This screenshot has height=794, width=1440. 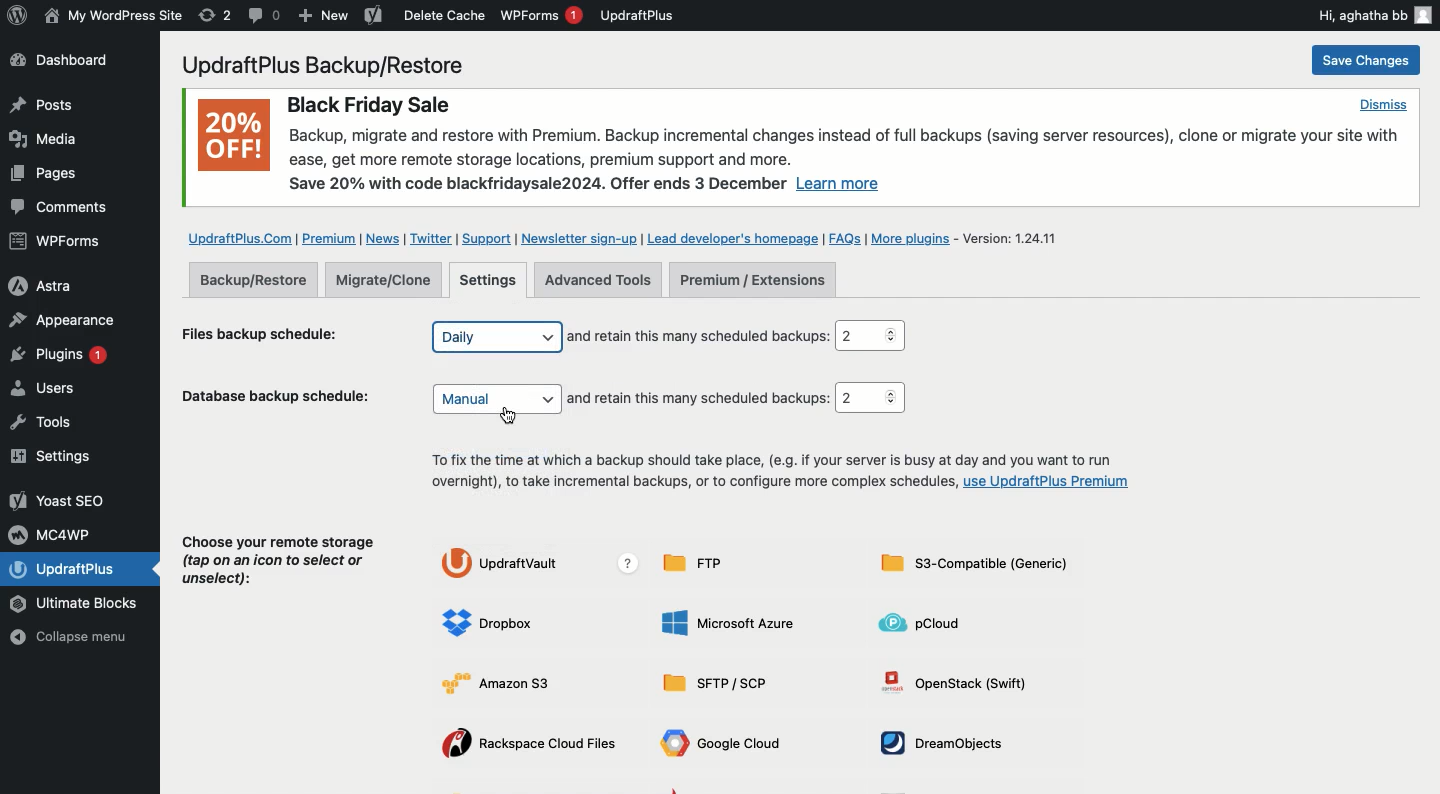 I want to click on FTP, so click(x=701, y=563).